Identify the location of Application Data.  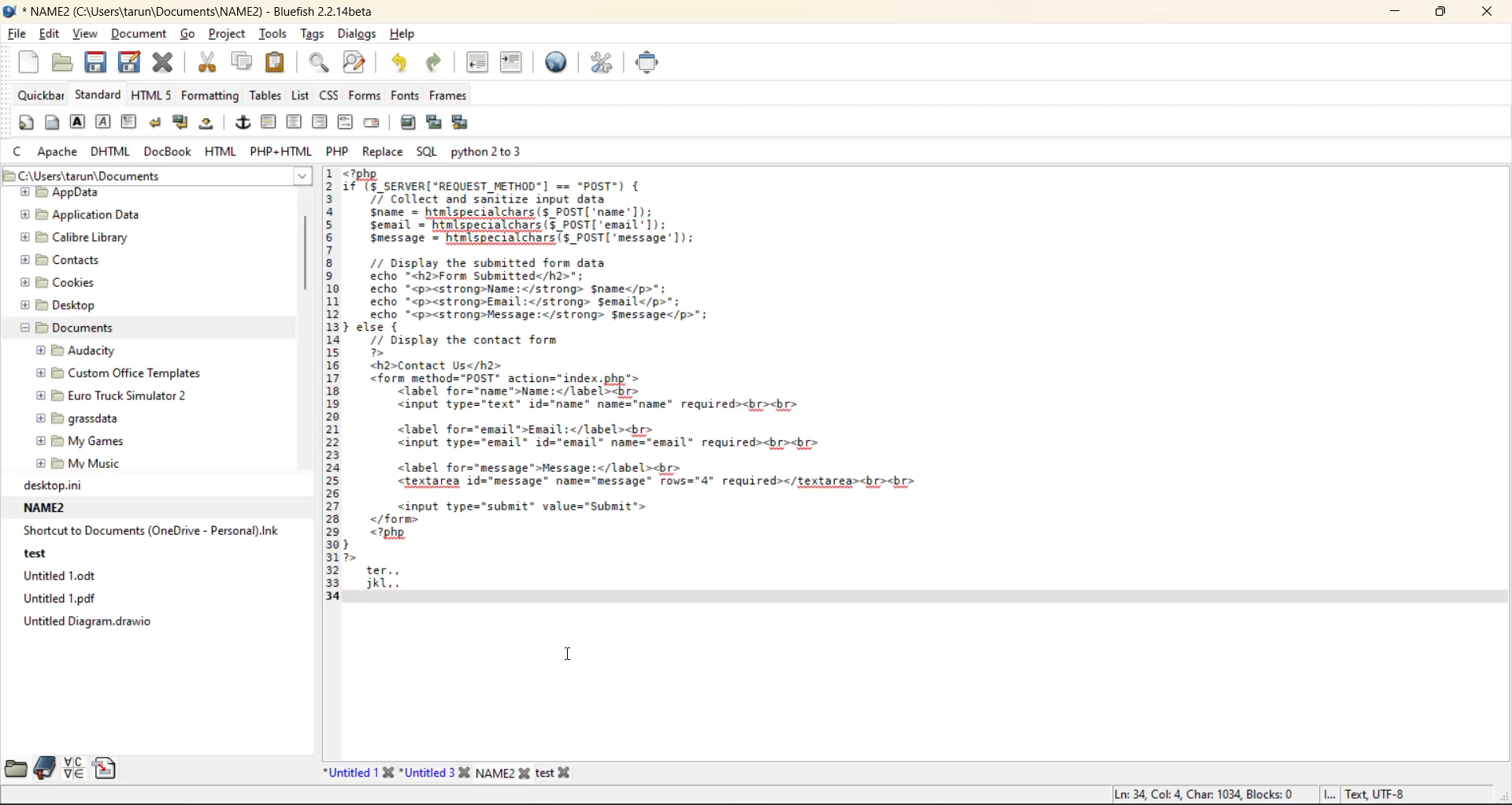
(80, 216).